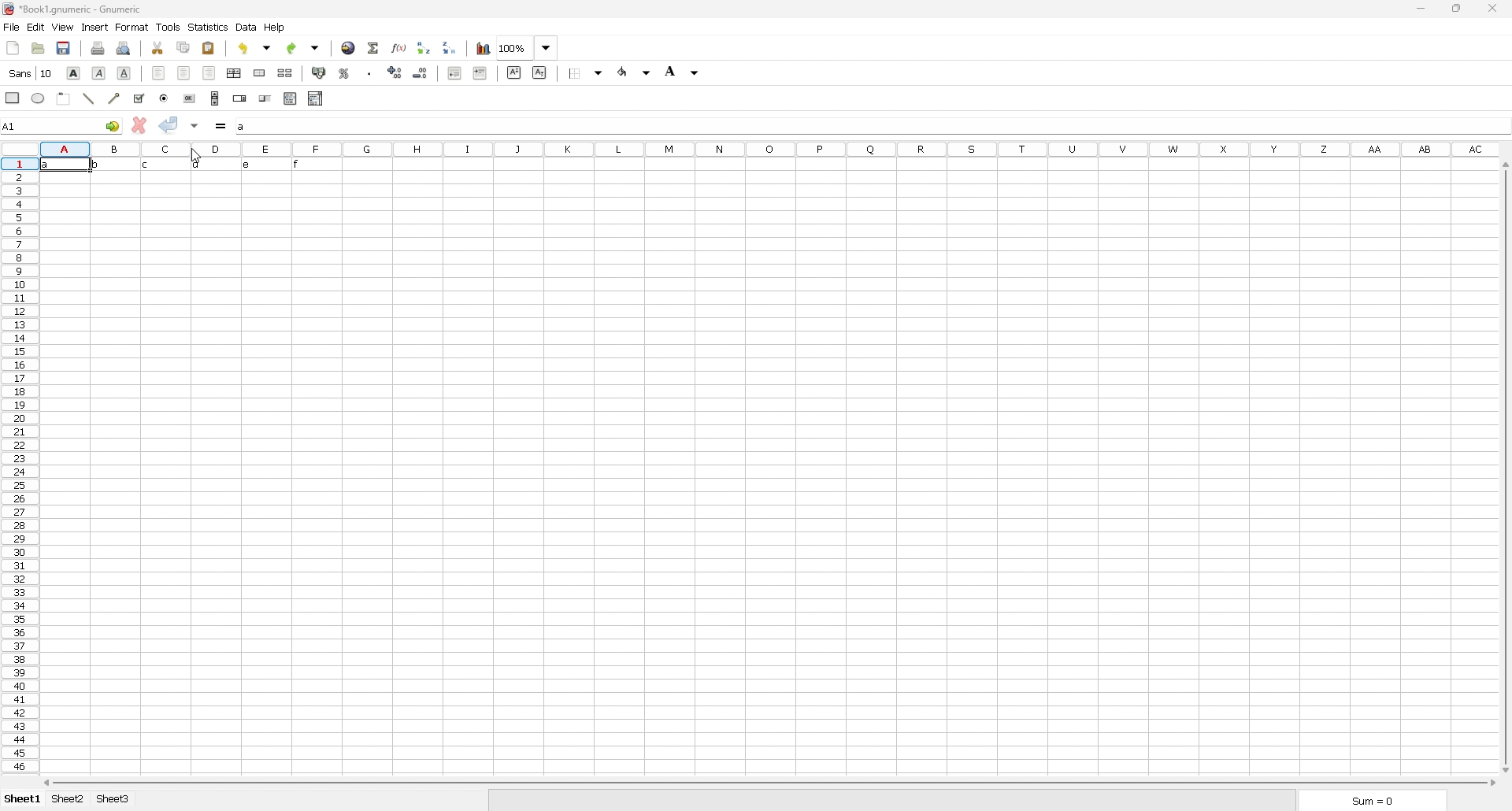 This screenshot has height=811, width=1512. I want to click on line, so click(89, 98).